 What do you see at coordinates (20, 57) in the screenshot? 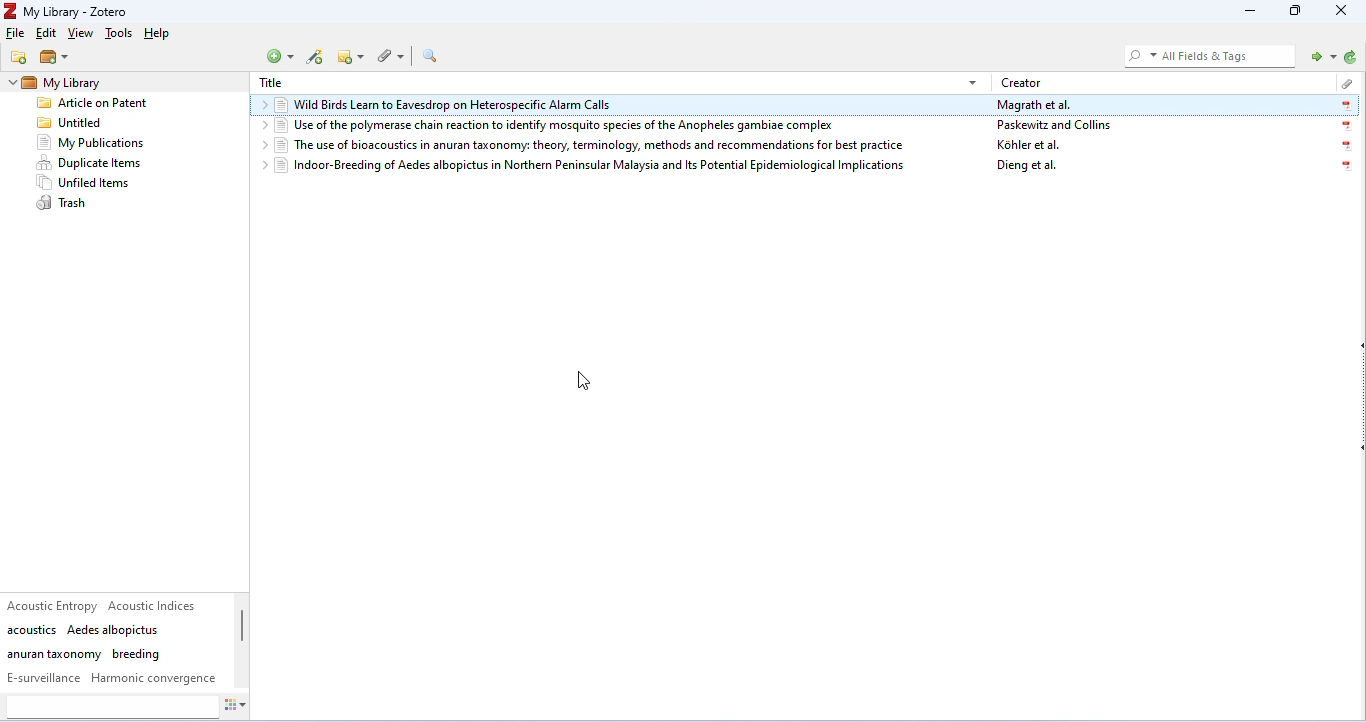
I see `new collection` at bounding box center [20, 57].